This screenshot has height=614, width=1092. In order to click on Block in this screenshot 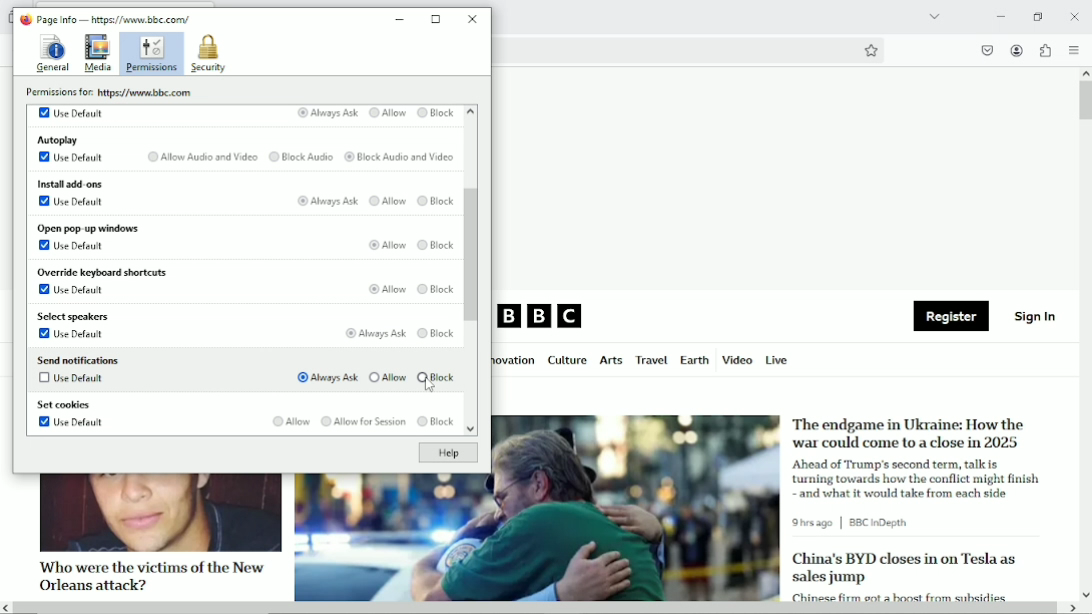, I will do `click(435, 422)`.